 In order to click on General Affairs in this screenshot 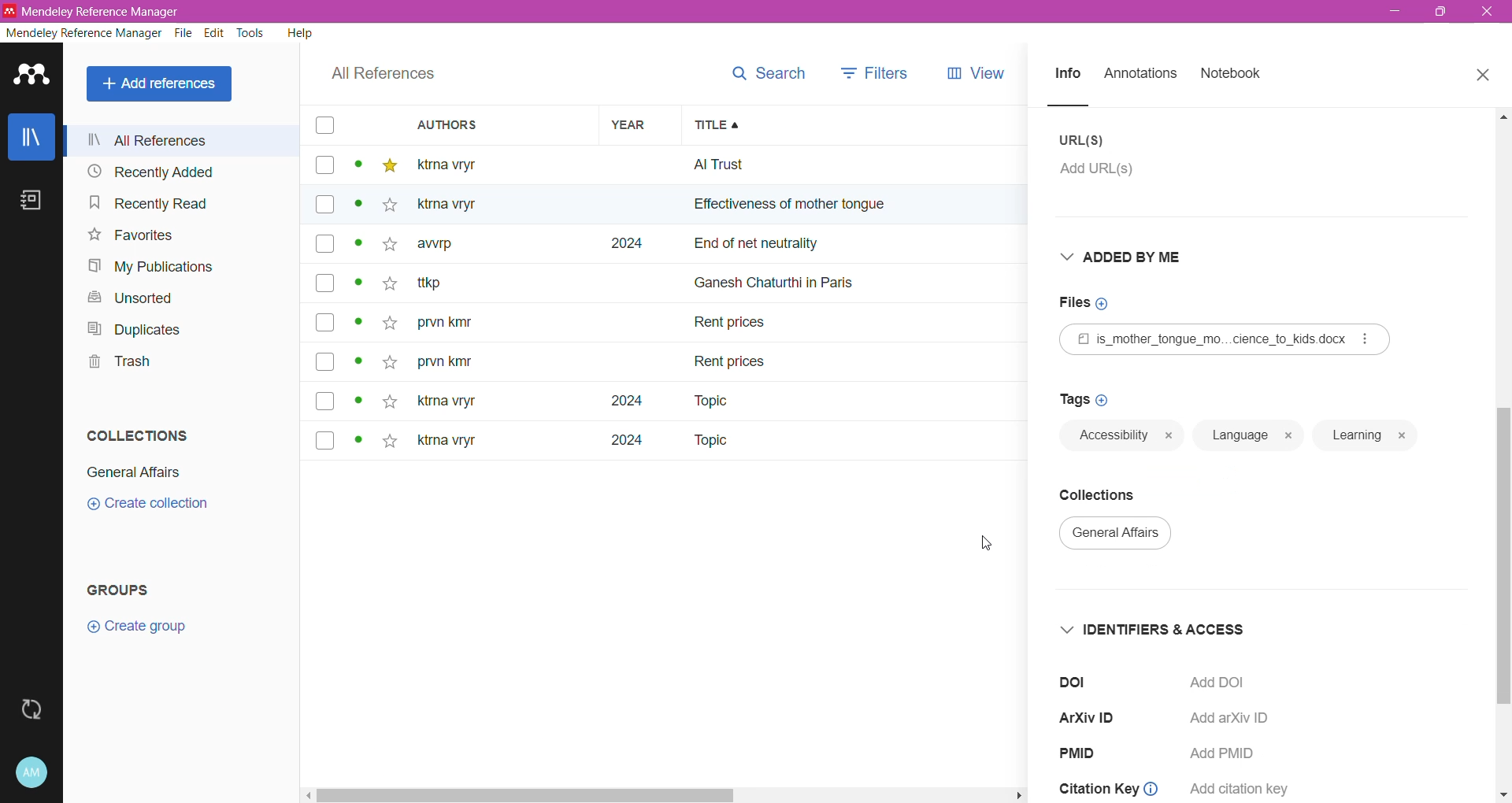, I will do `click(134, 472)`.